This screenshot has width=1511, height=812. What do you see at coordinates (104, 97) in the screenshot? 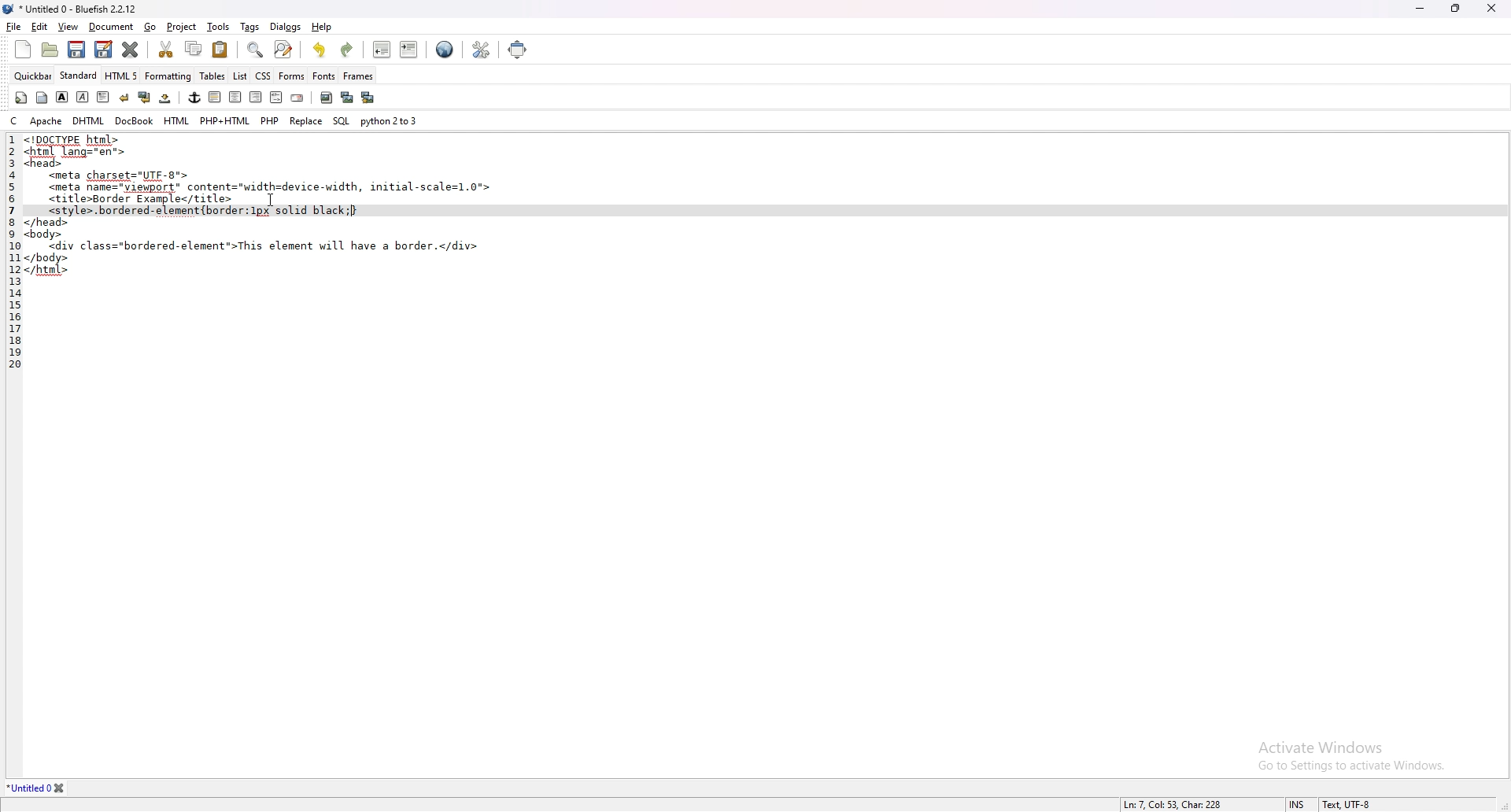
I see `paragraph` at bounding box center [104, 97].